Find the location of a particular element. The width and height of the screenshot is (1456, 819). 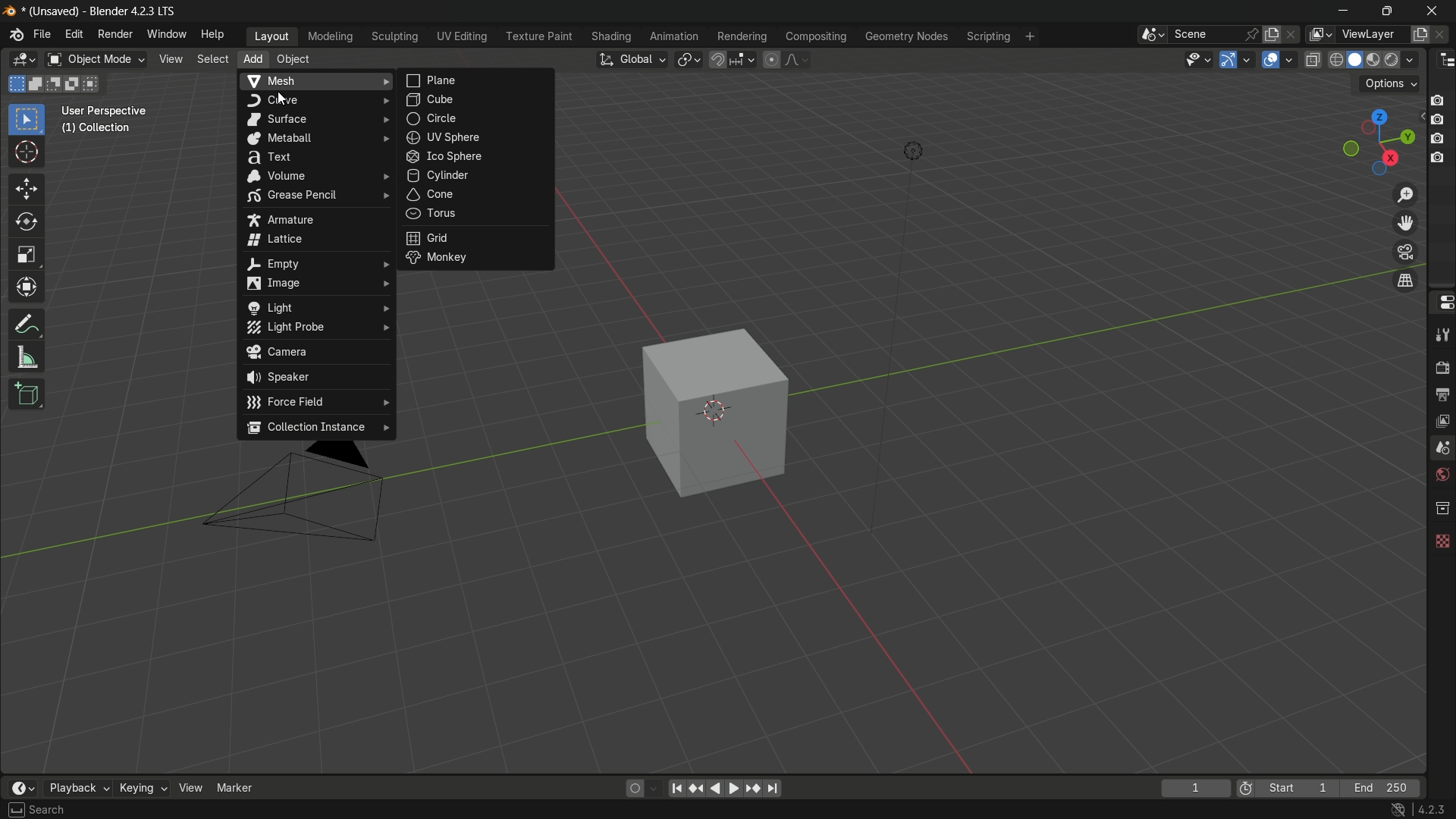

intersect existing selection is located at coordinates (96, 83).